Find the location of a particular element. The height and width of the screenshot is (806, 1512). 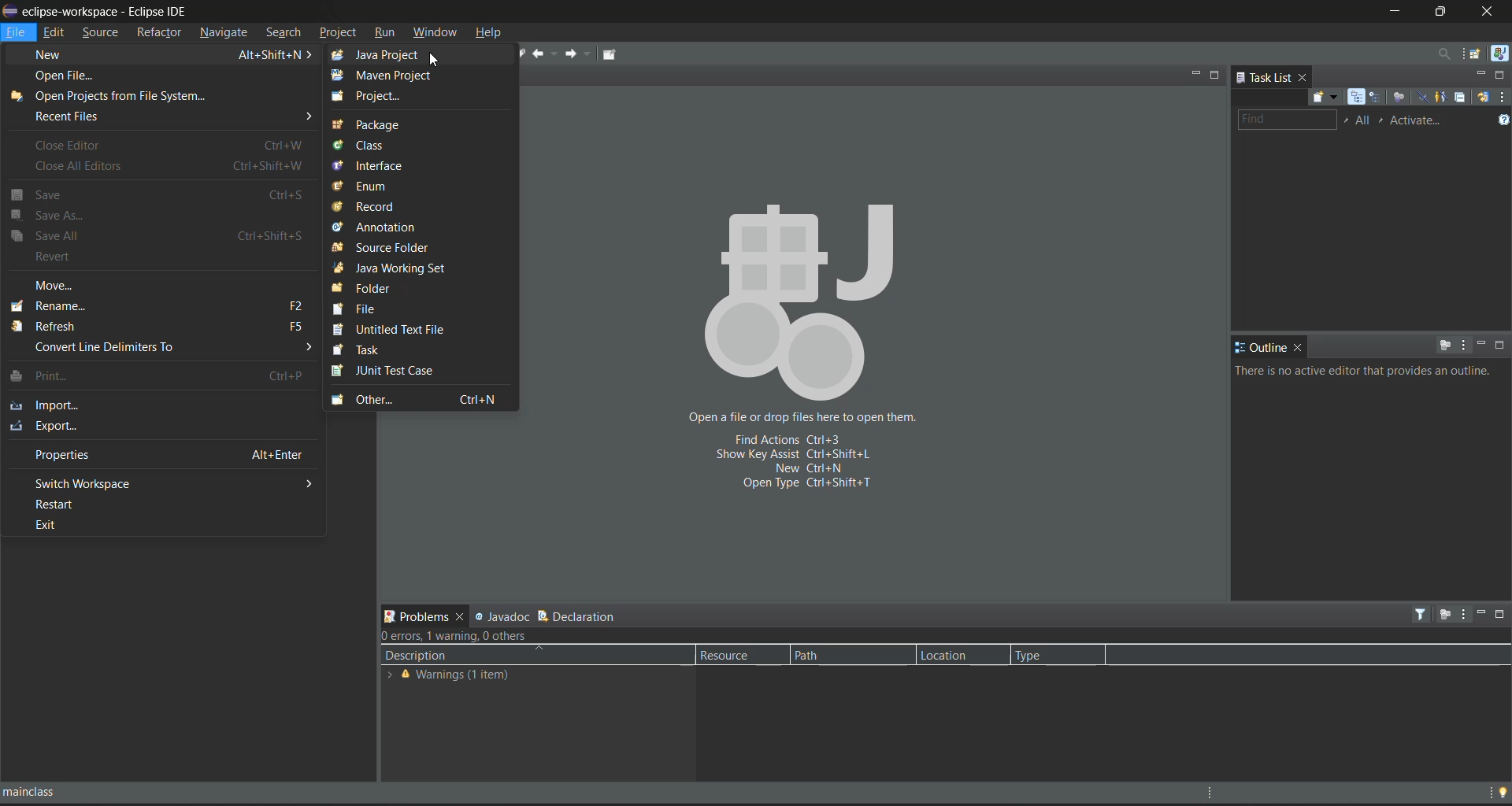

type is located at coordinates (1049, 655).